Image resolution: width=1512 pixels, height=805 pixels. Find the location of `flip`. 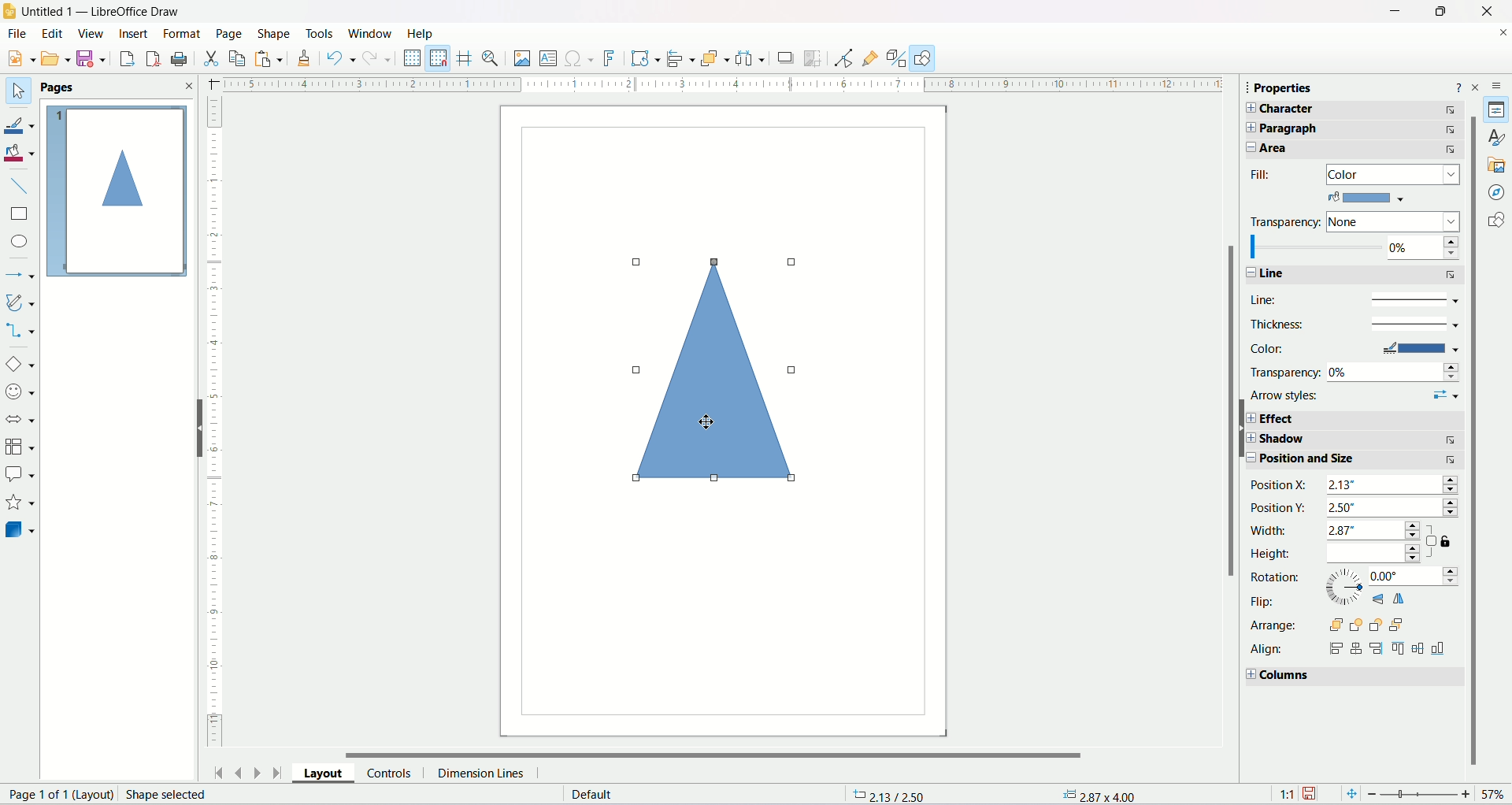

flip is located at coordinates (1347, 604).